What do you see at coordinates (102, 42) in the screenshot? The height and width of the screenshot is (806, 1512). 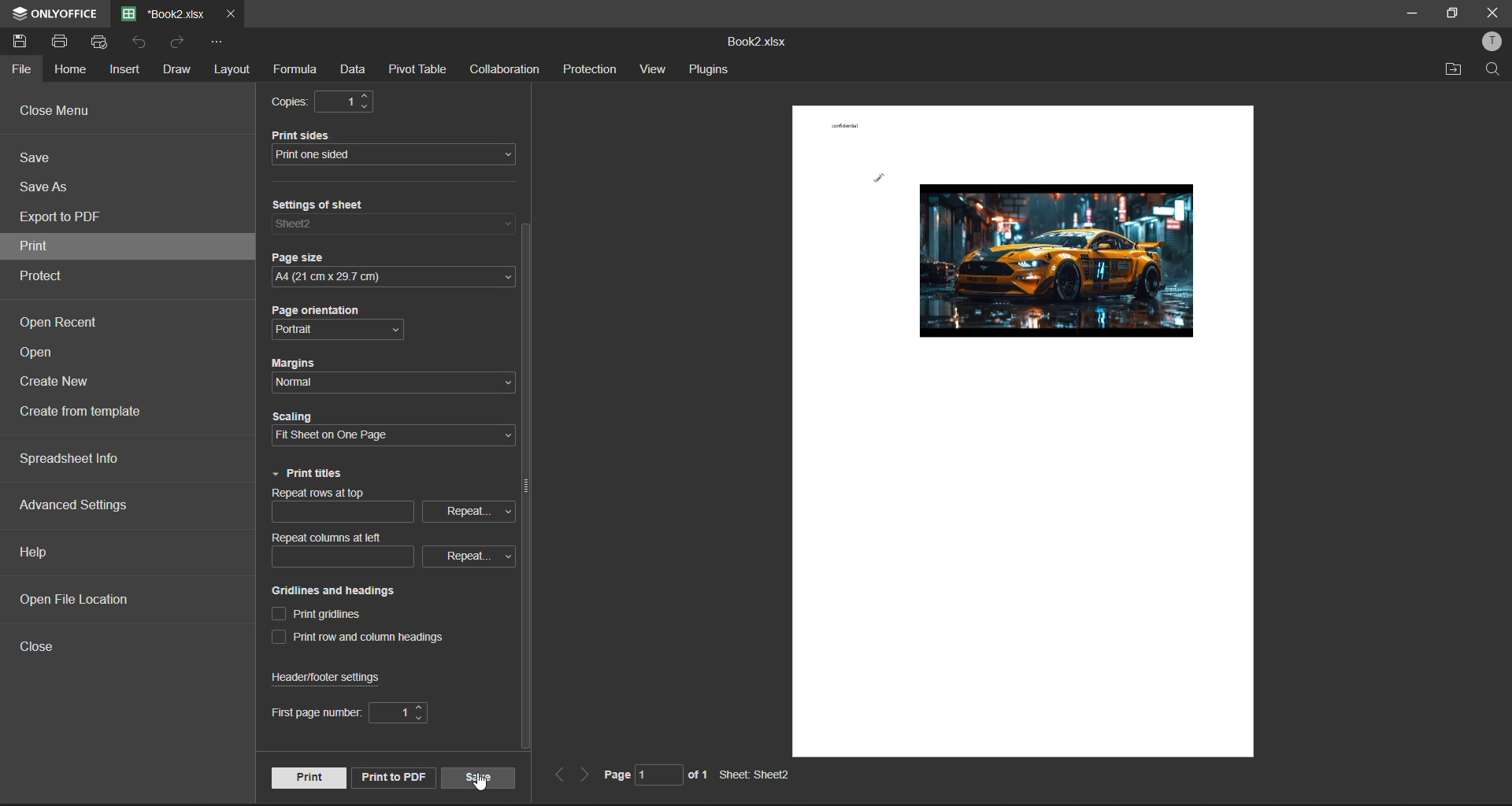 I see `quick print` at bounding box center [102, 42].